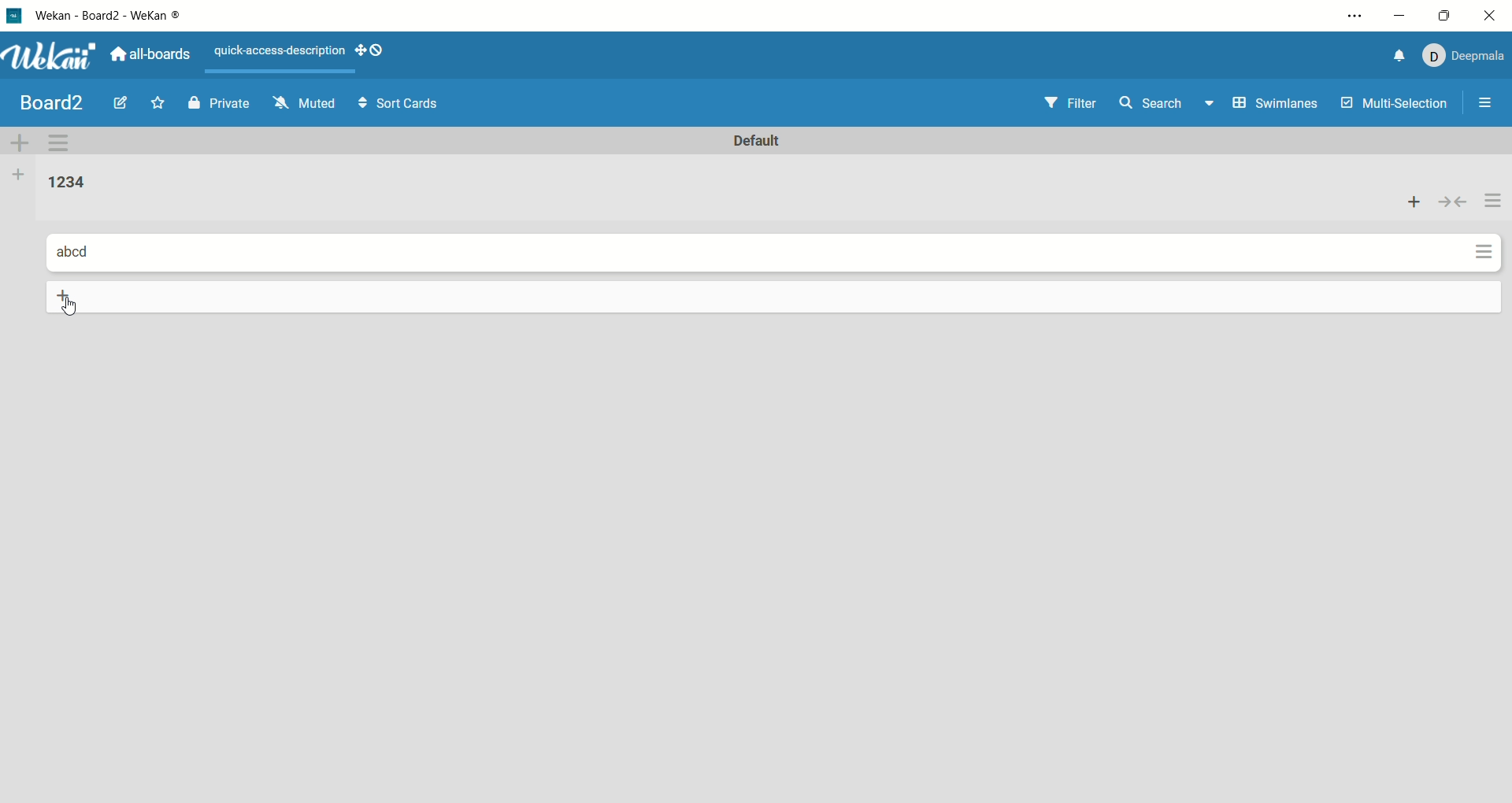  What do you see at coordinates (154, 55) in the screenshot?
I see `all boards` at bounding box center [154, 55].